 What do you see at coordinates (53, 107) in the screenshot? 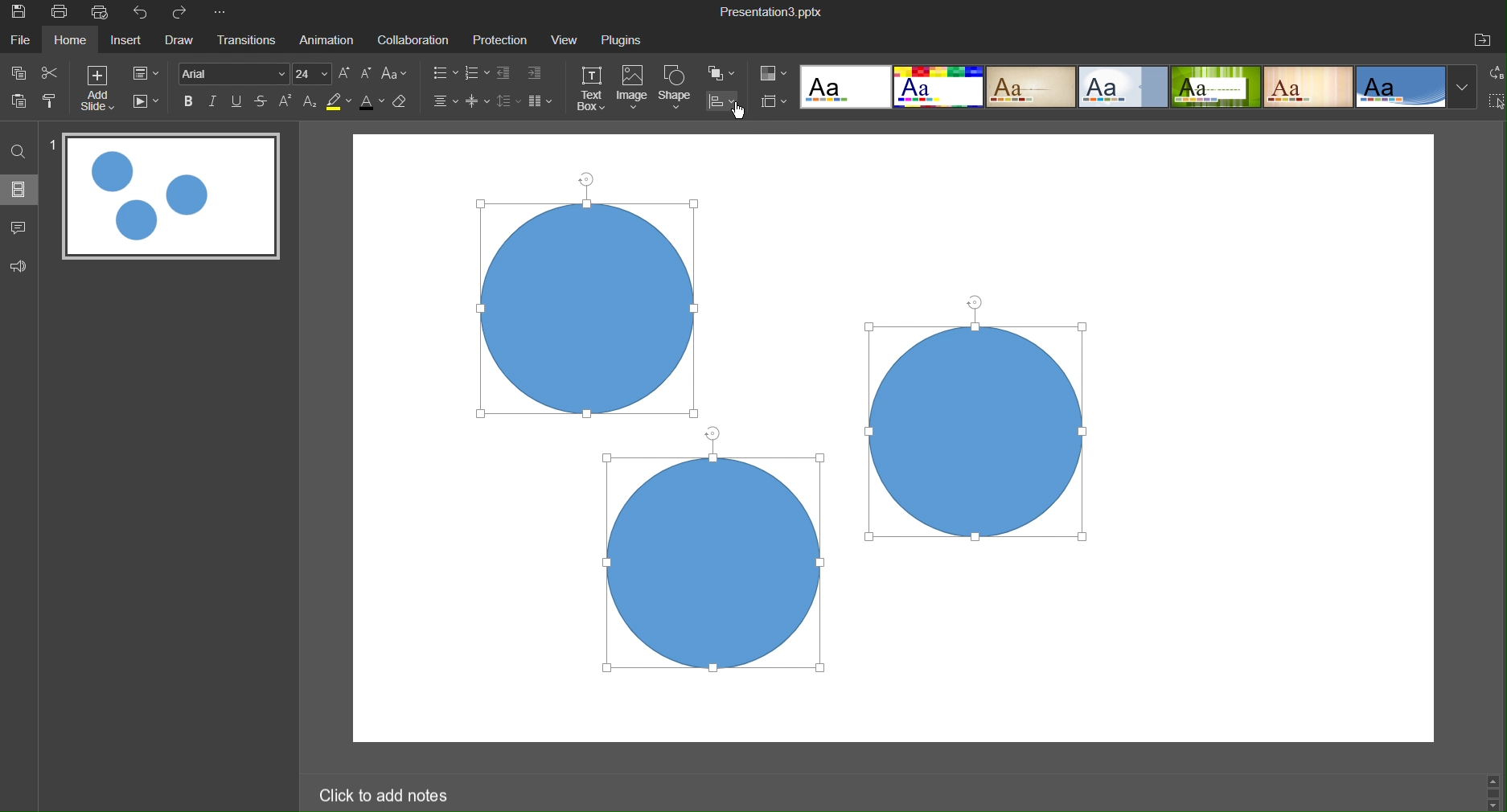
I see `Copy Style` at bounding box center [53, 107].